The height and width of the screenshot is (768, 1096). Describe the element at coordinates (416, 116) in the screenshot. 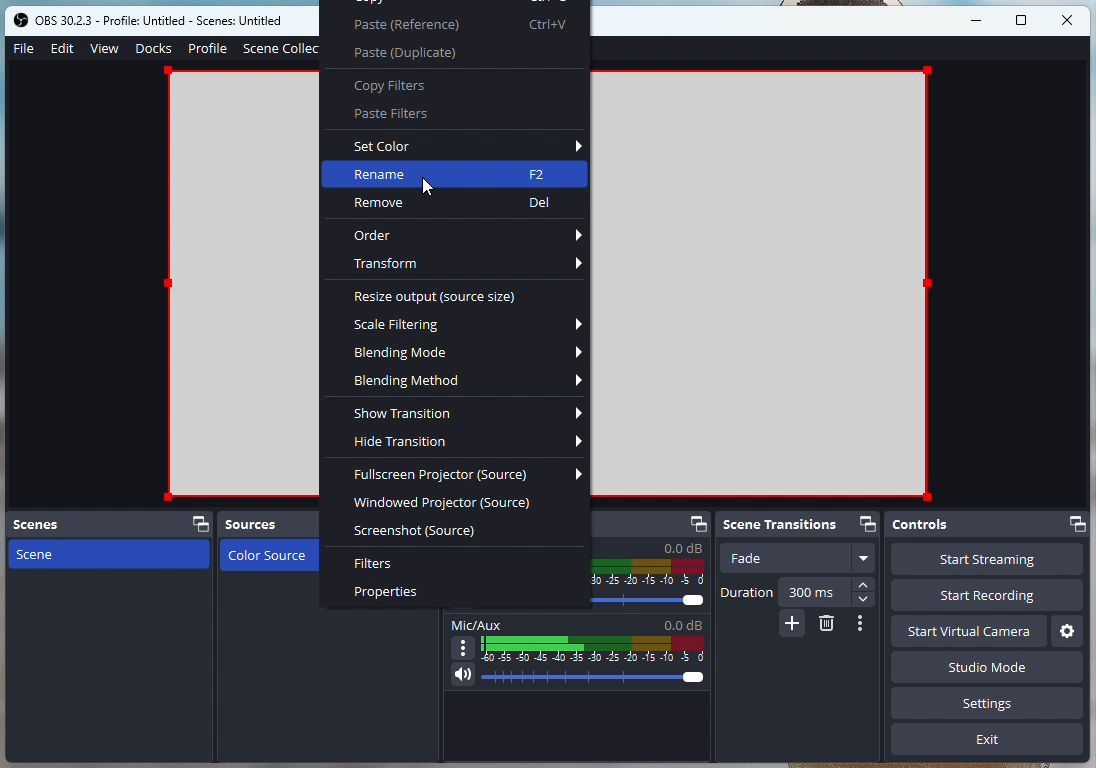

I see `Paste Filters` at that location.